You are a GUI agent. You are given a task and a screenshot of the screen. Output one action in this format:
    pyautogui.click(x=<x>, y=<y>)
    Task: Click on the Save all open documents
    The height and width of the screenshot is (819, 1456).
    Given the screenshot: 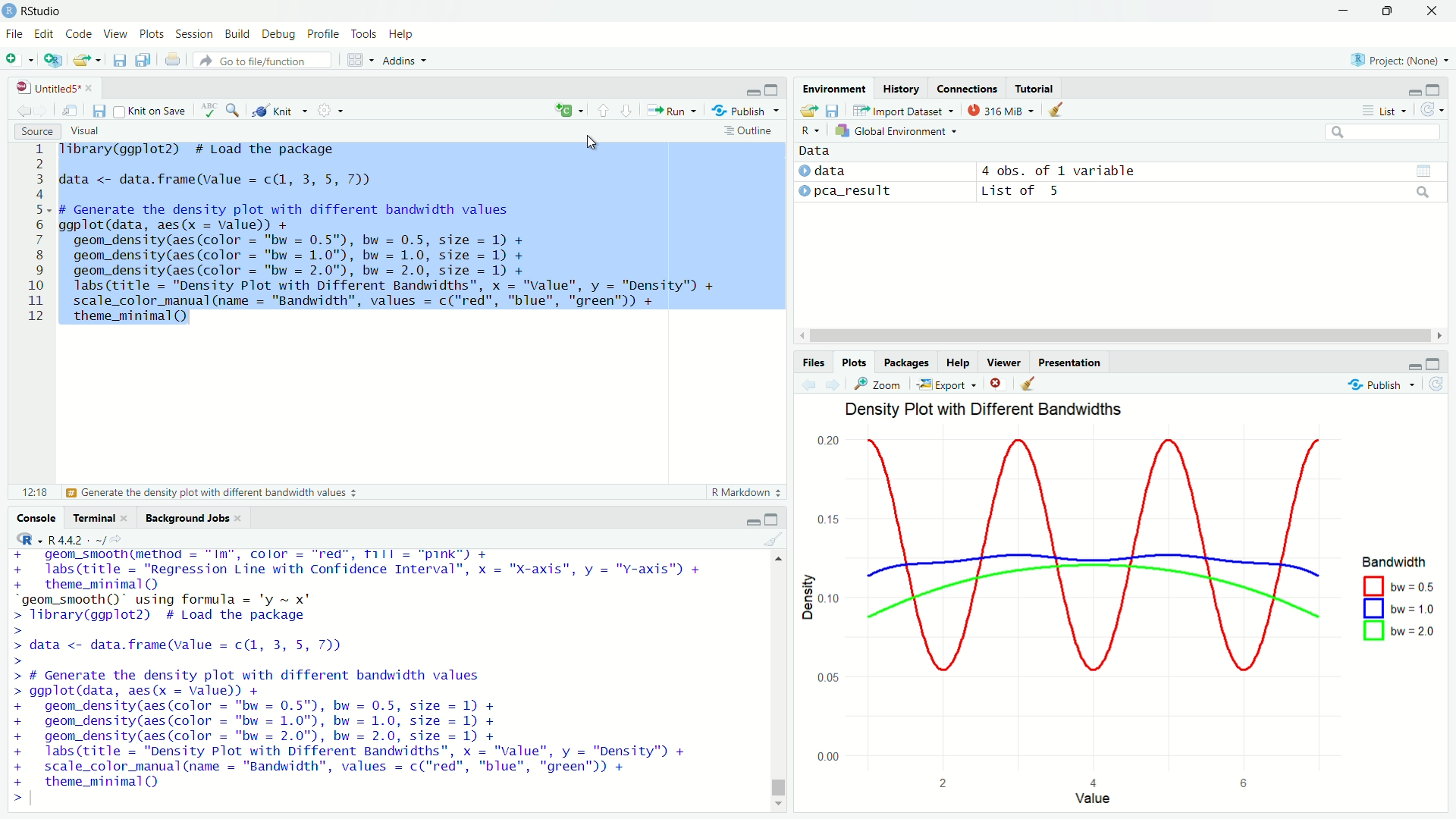 What is the action you would take?
    pyautogui.click(x=143, y=60)
    